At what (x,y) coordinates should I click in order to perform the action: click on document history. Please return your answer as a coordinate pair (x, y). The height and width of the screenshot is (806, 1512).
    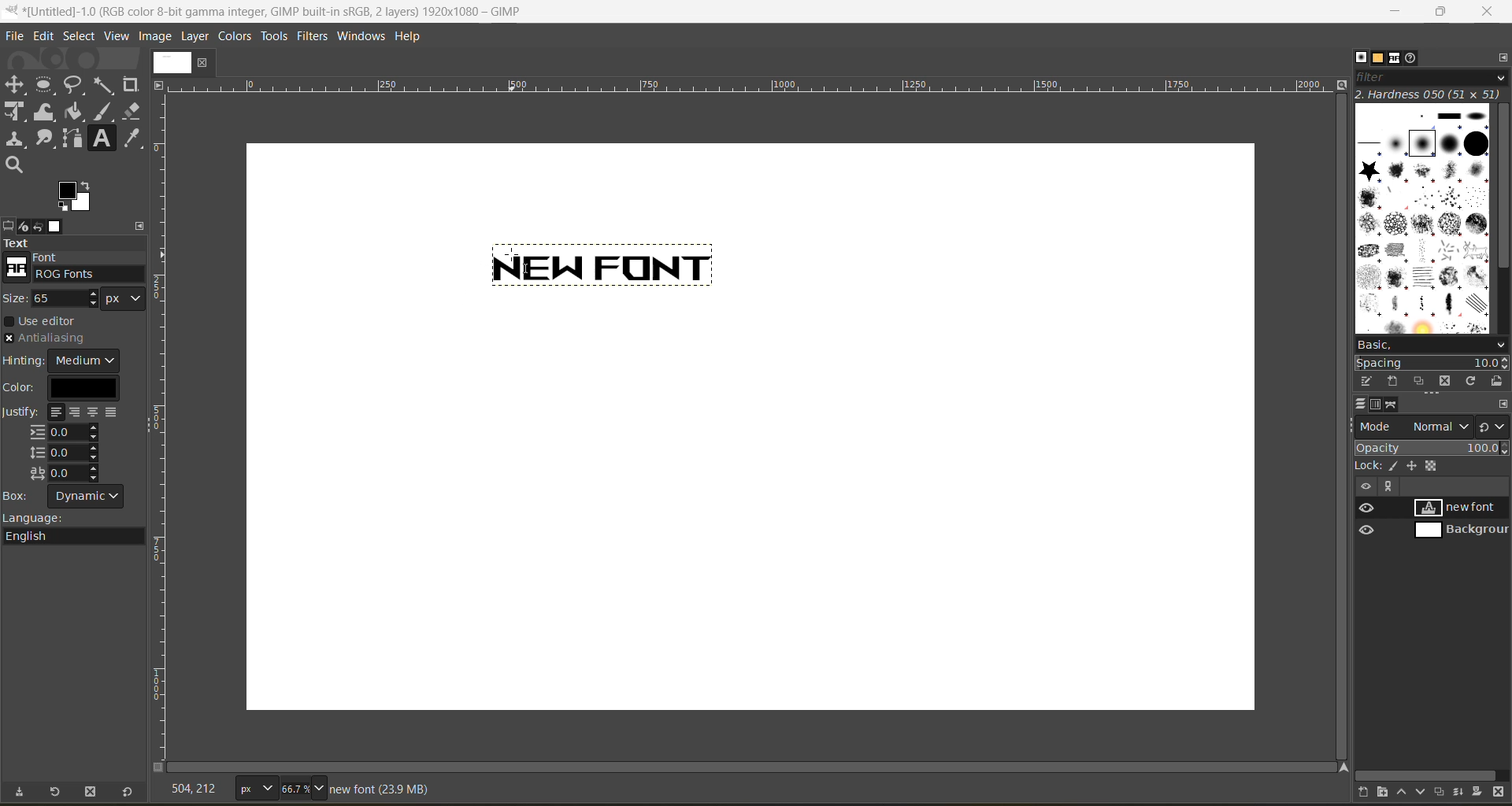
    Looking at the image, I should click on (1412, 60).